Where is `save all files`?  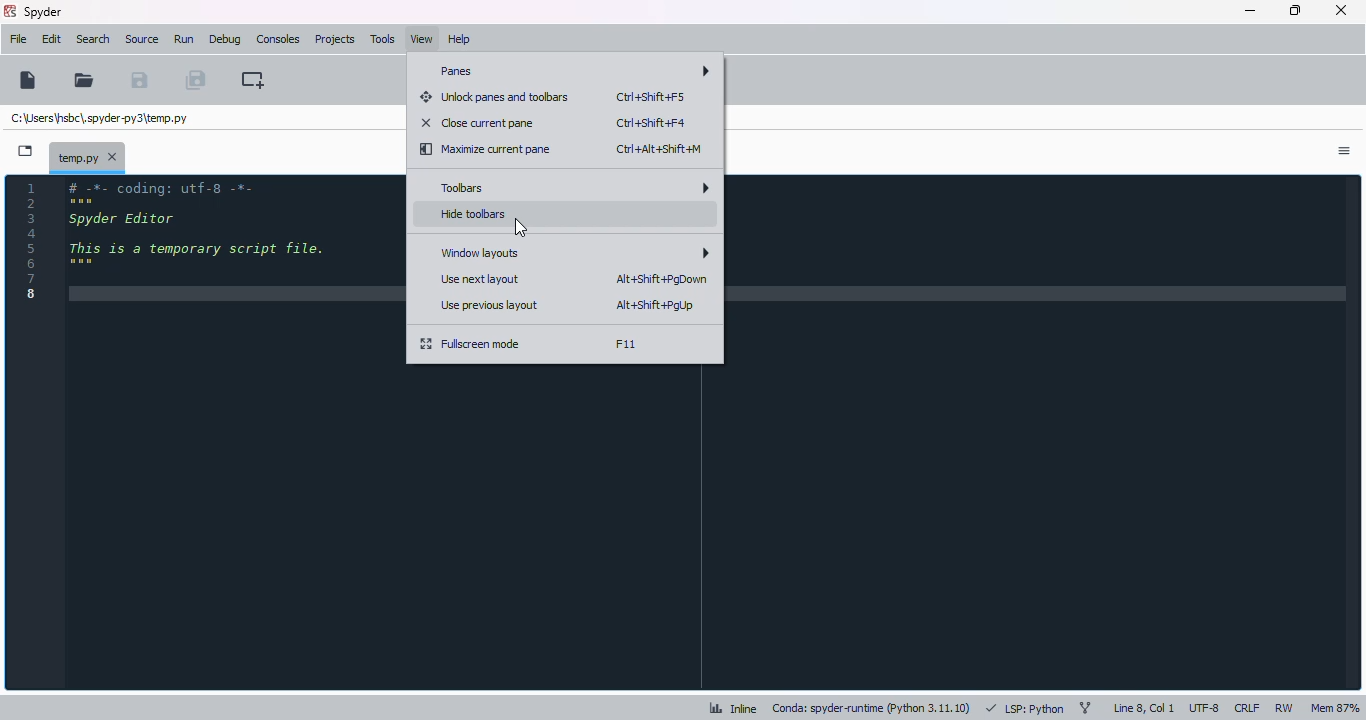
save all files is located at coordinates (193, 79).